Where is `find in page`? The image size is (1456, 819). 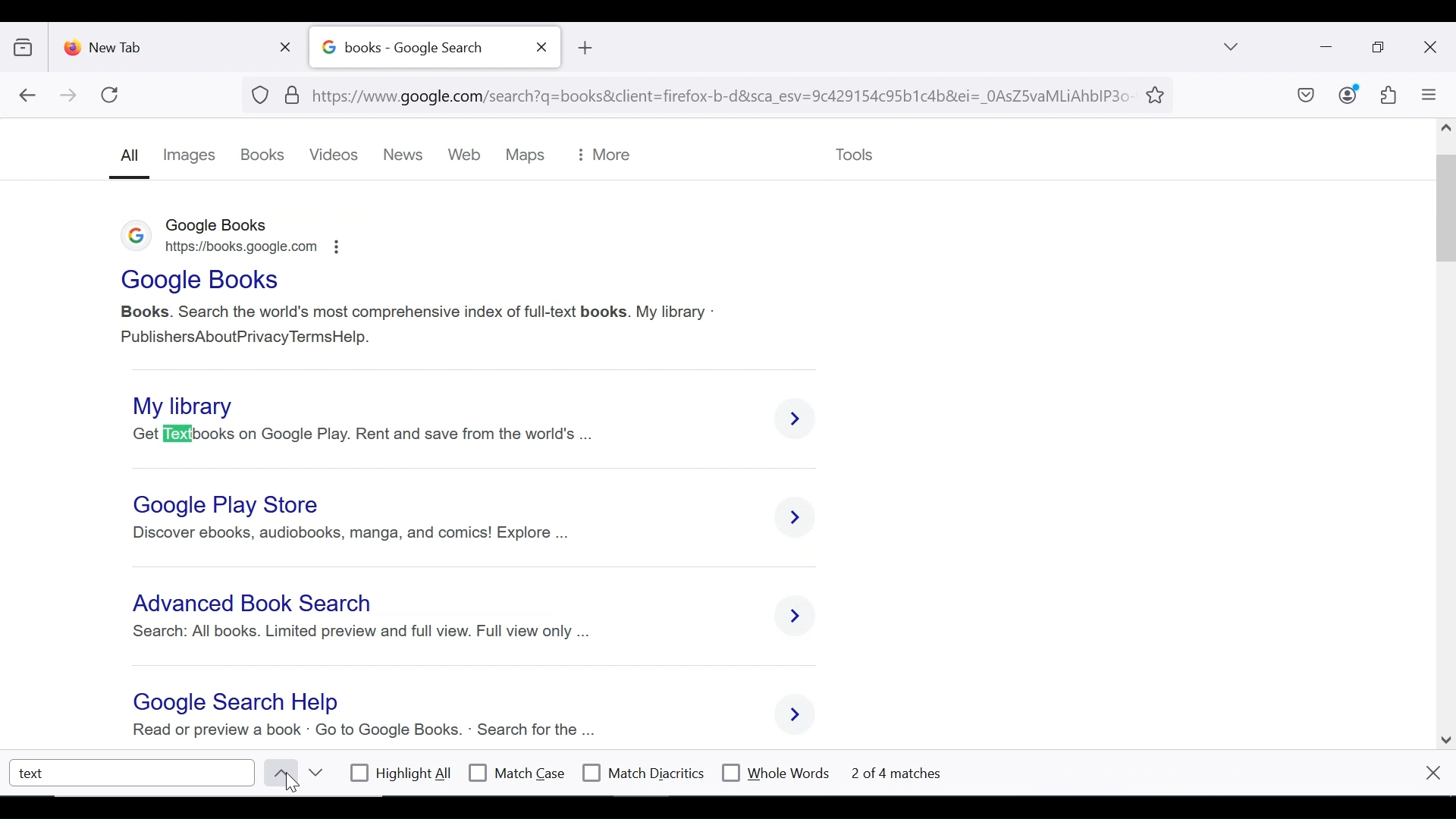 find in page is located at coordinates (133, 772).